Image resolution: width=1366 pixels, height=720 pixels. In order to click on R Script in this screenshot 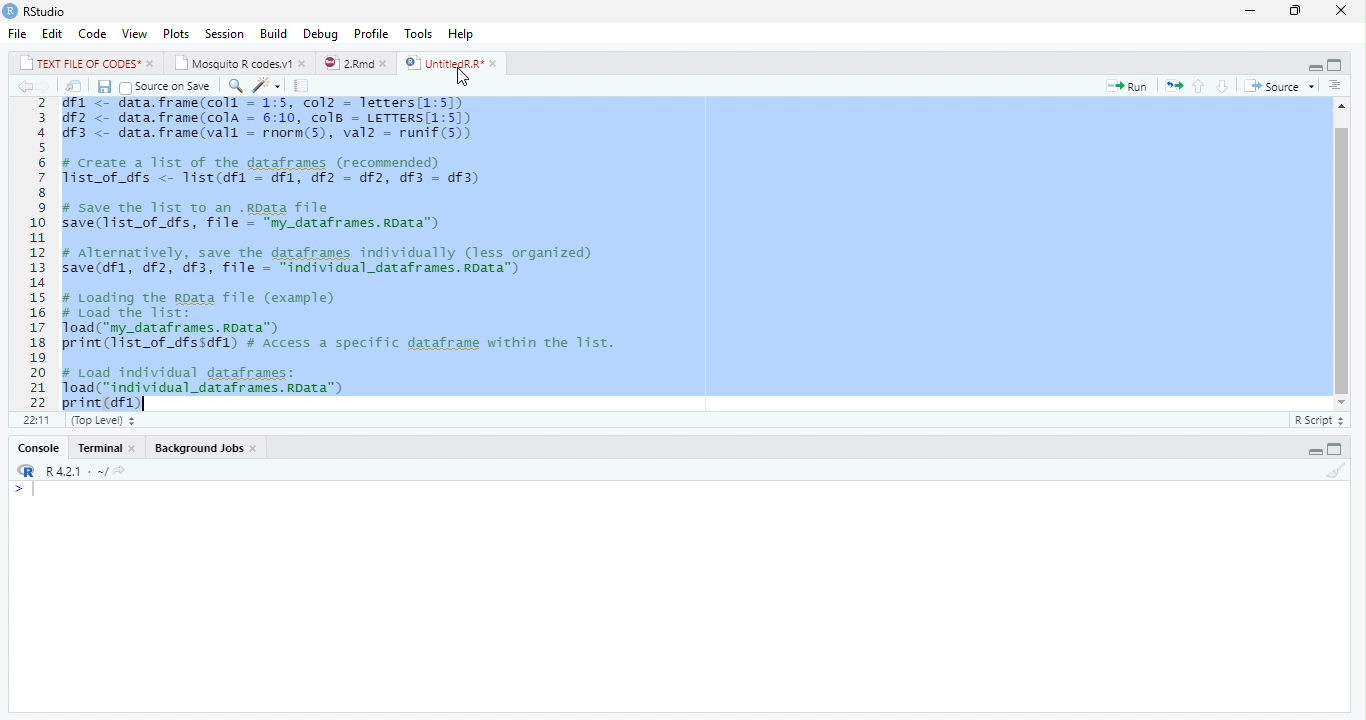, I will do `click(1318, 419)`.